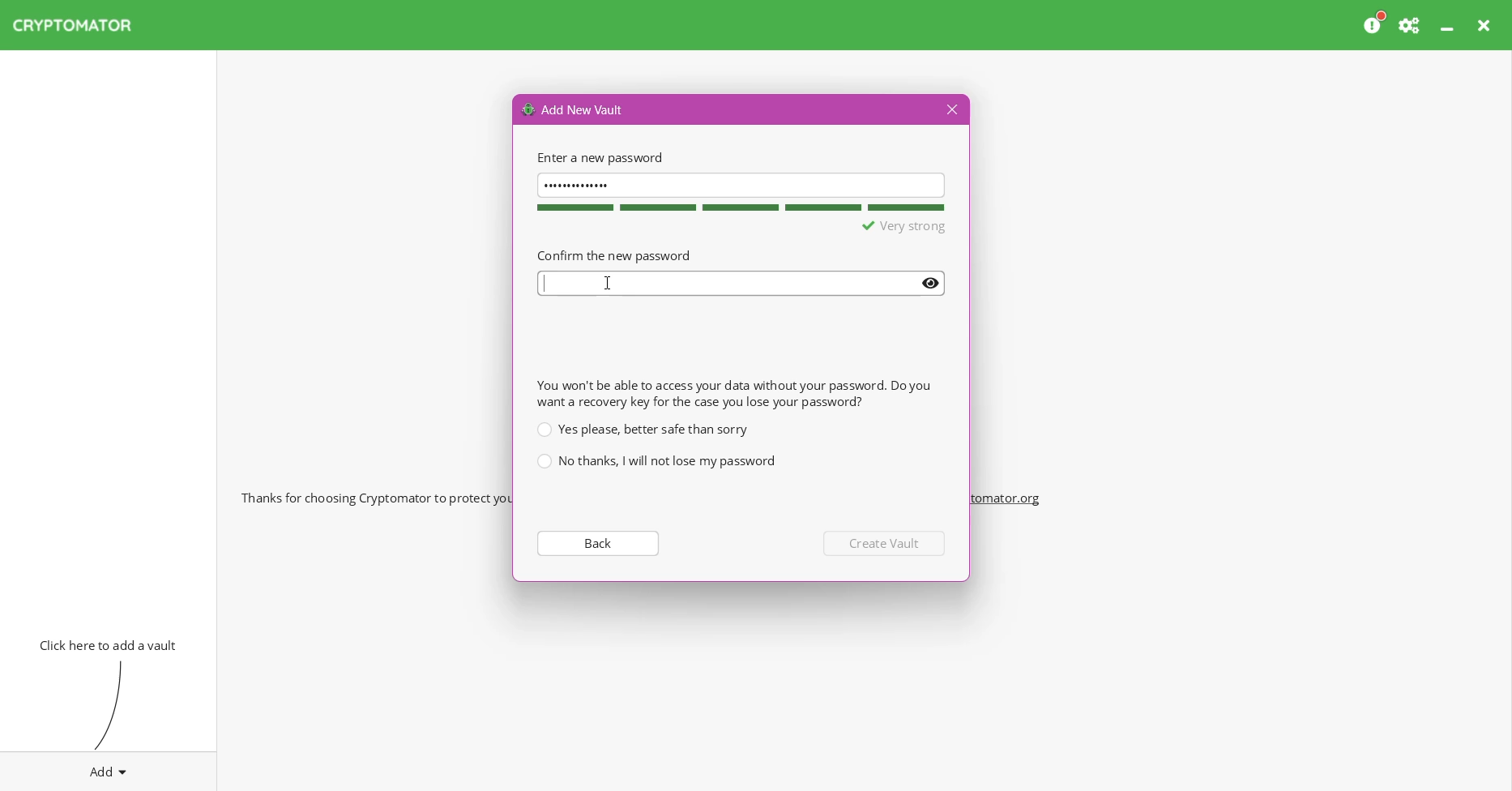 This screenshot has width=1512, height=791. What do you see at coordinates (598, 157) in the screenshot?
I see `Enter a new password` at bounding box center [598, 157].